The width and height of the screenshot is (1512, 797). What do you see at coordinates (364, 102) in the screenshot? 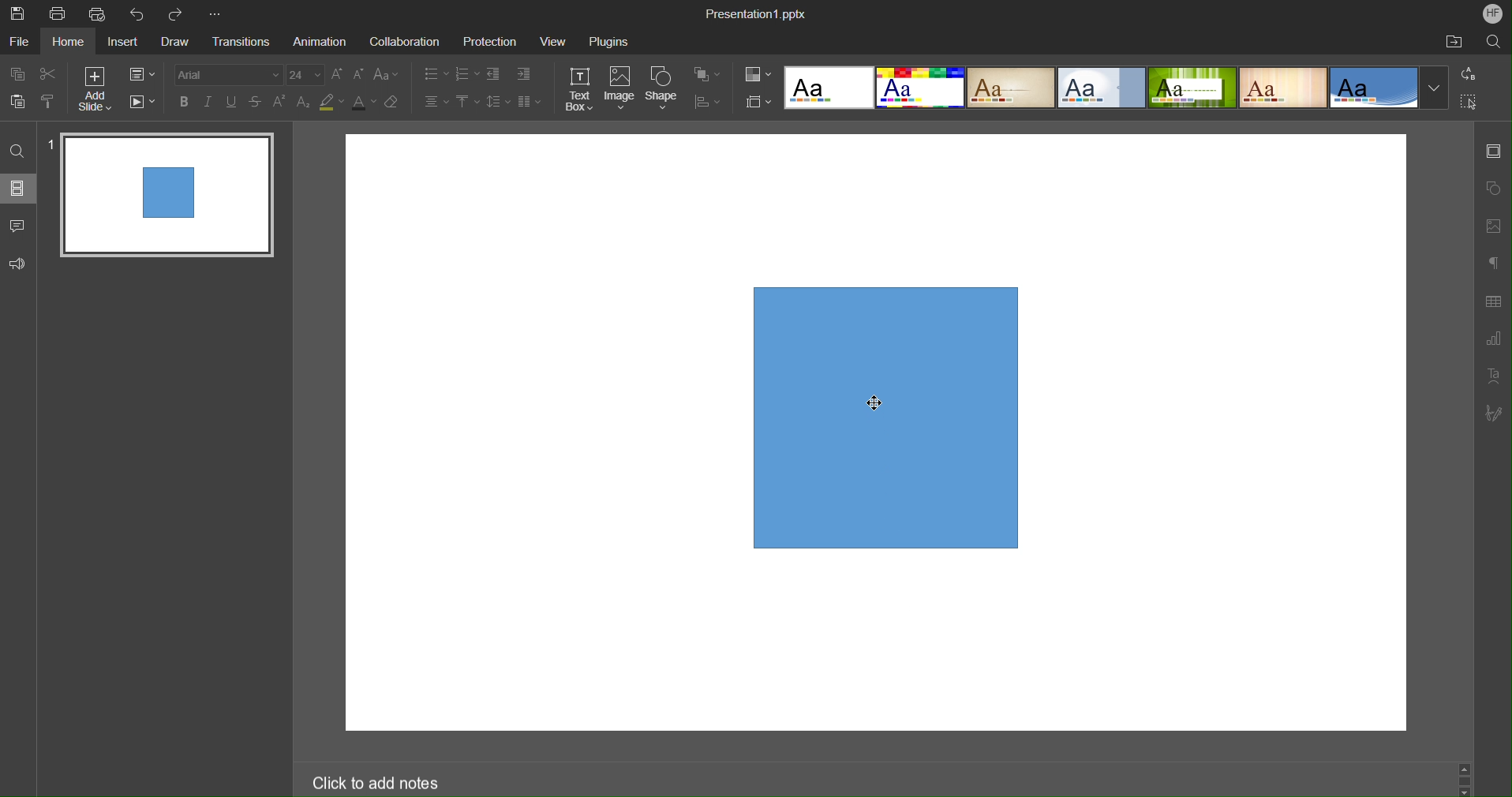
I see `Text Color` at bounding box center [364, 102].